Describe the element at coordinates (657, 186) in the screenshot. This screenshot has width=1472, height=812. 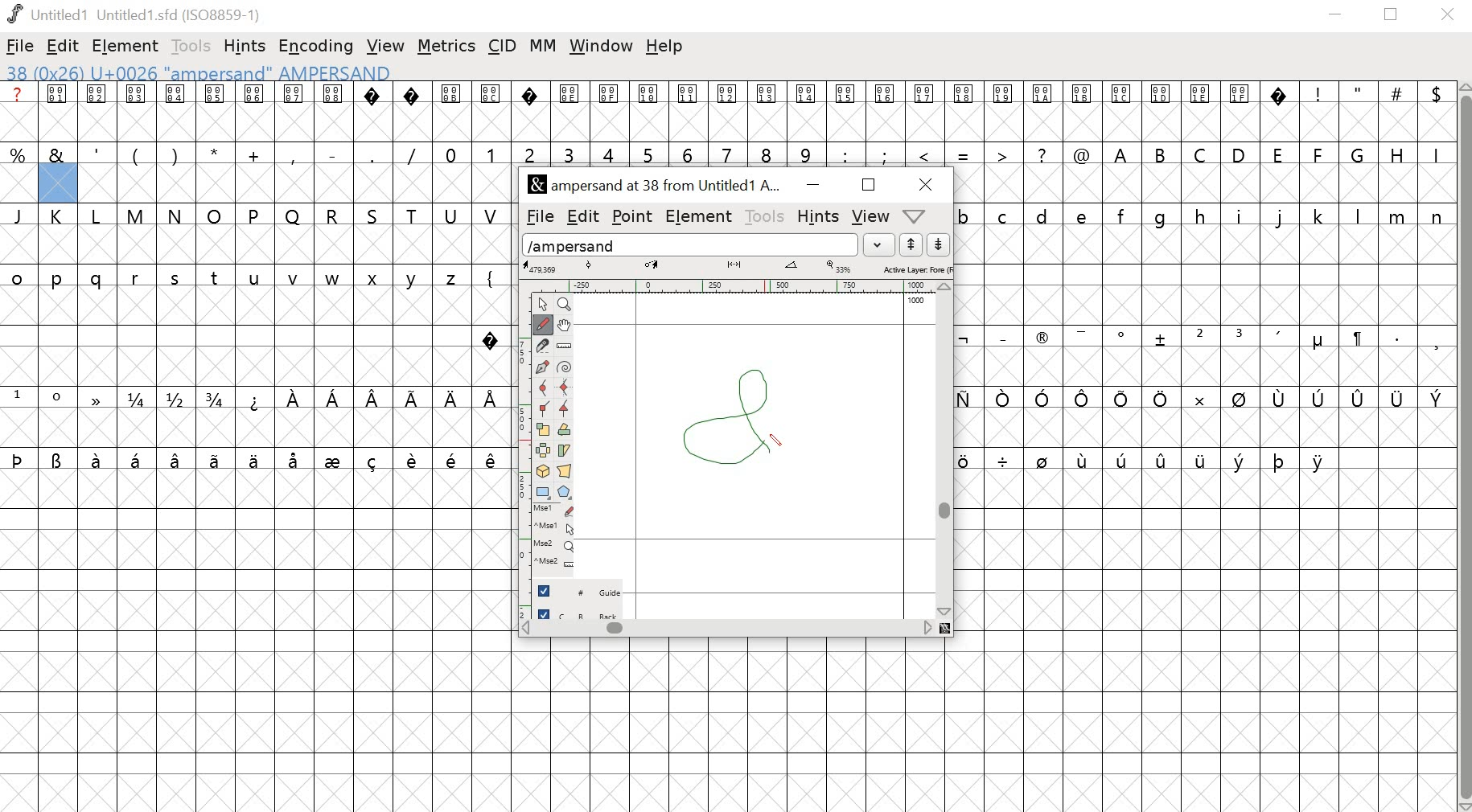
I see `ampersand at 38 from Untitled1 A...` at that location.